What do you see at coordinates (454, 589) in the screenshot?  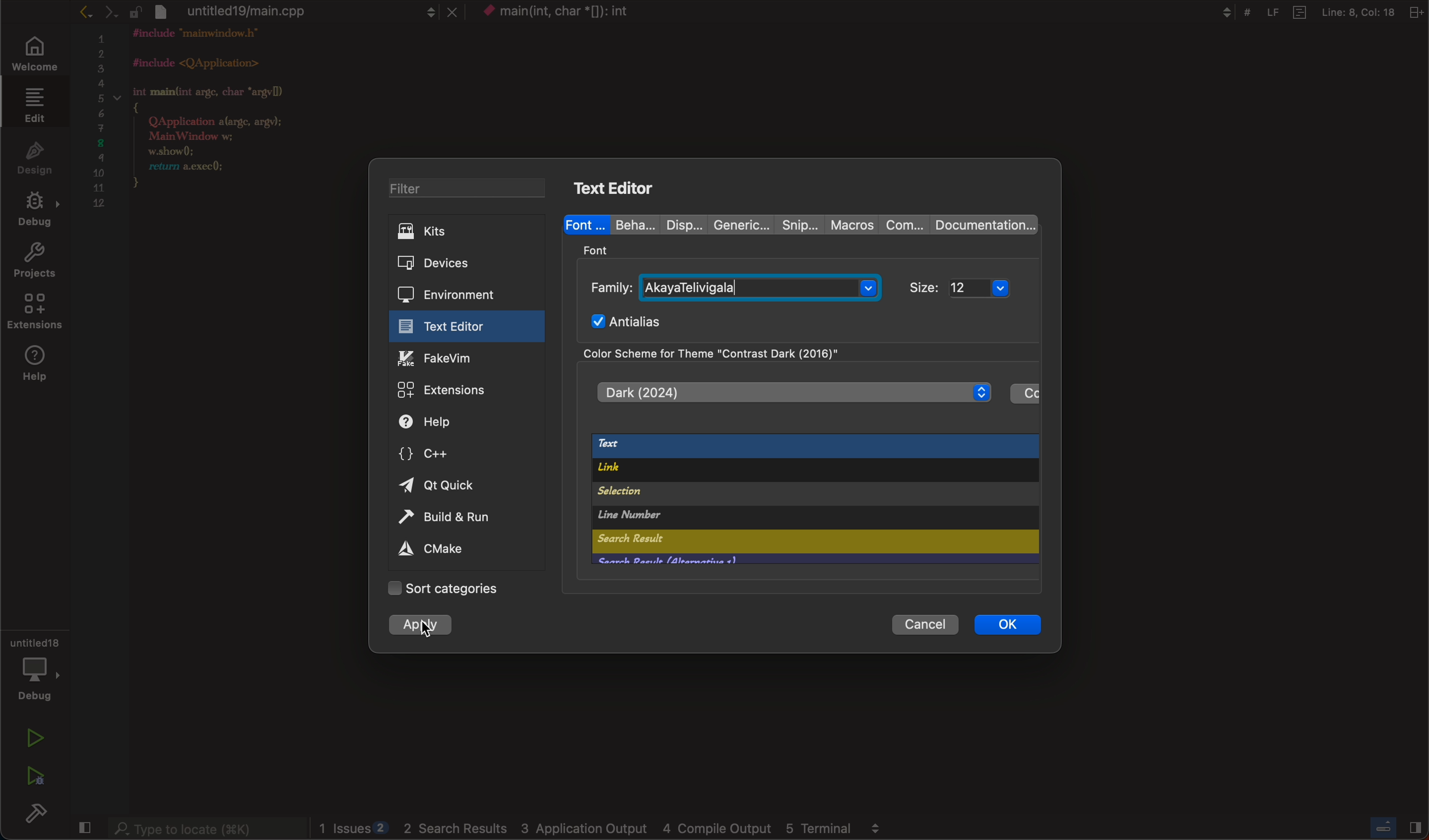 I see `Categories` at bounding box center [454, 589].